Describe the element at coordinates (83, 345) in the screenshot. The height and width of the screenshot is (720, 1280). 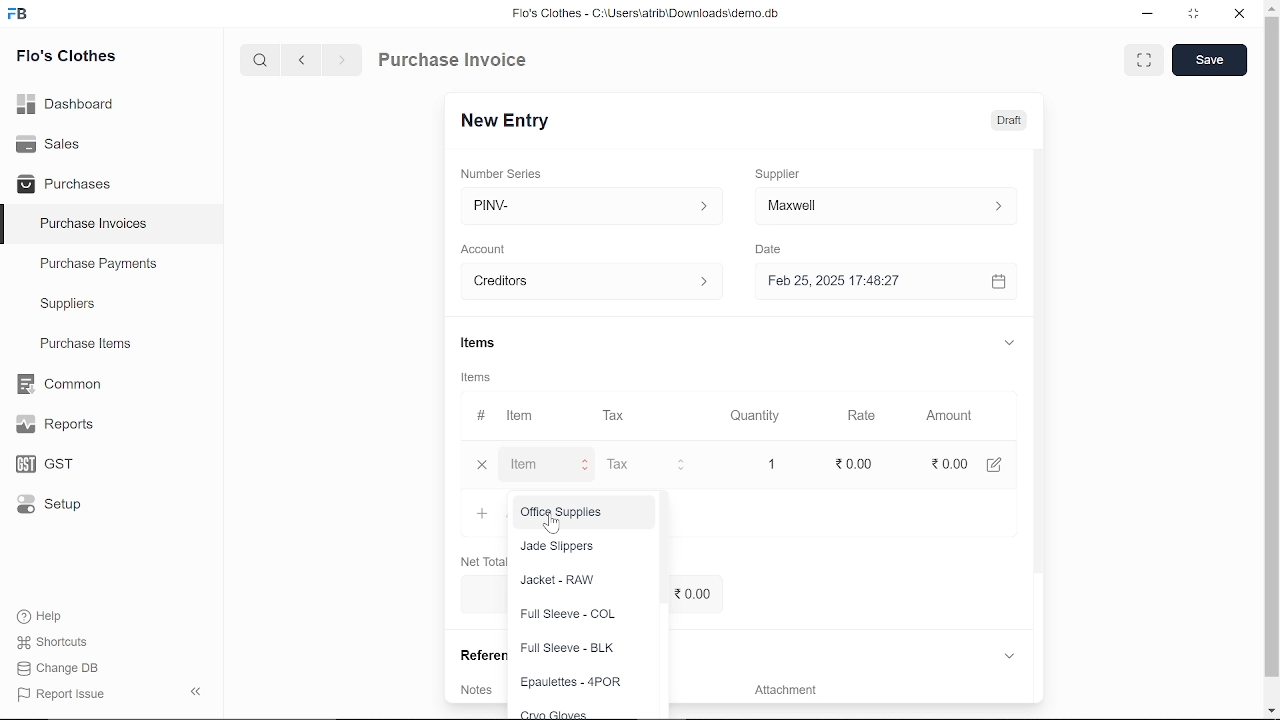
I see `Purchase ltems` at that location.